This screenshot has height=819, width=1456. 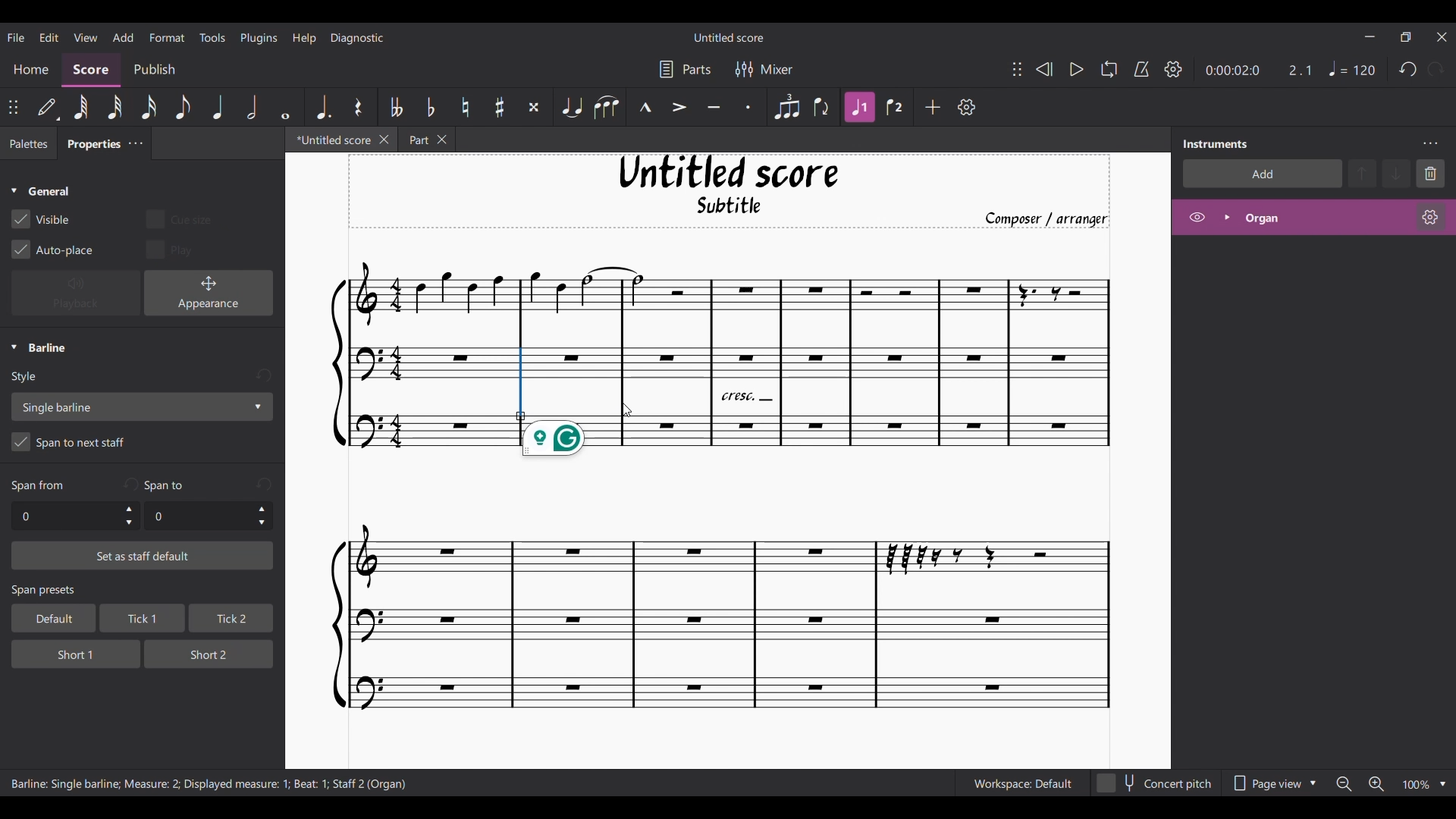 What do you see at coordinates (1352, 69) in the screenshot?
I see `Tempo` at bounding box center [1352, 69].